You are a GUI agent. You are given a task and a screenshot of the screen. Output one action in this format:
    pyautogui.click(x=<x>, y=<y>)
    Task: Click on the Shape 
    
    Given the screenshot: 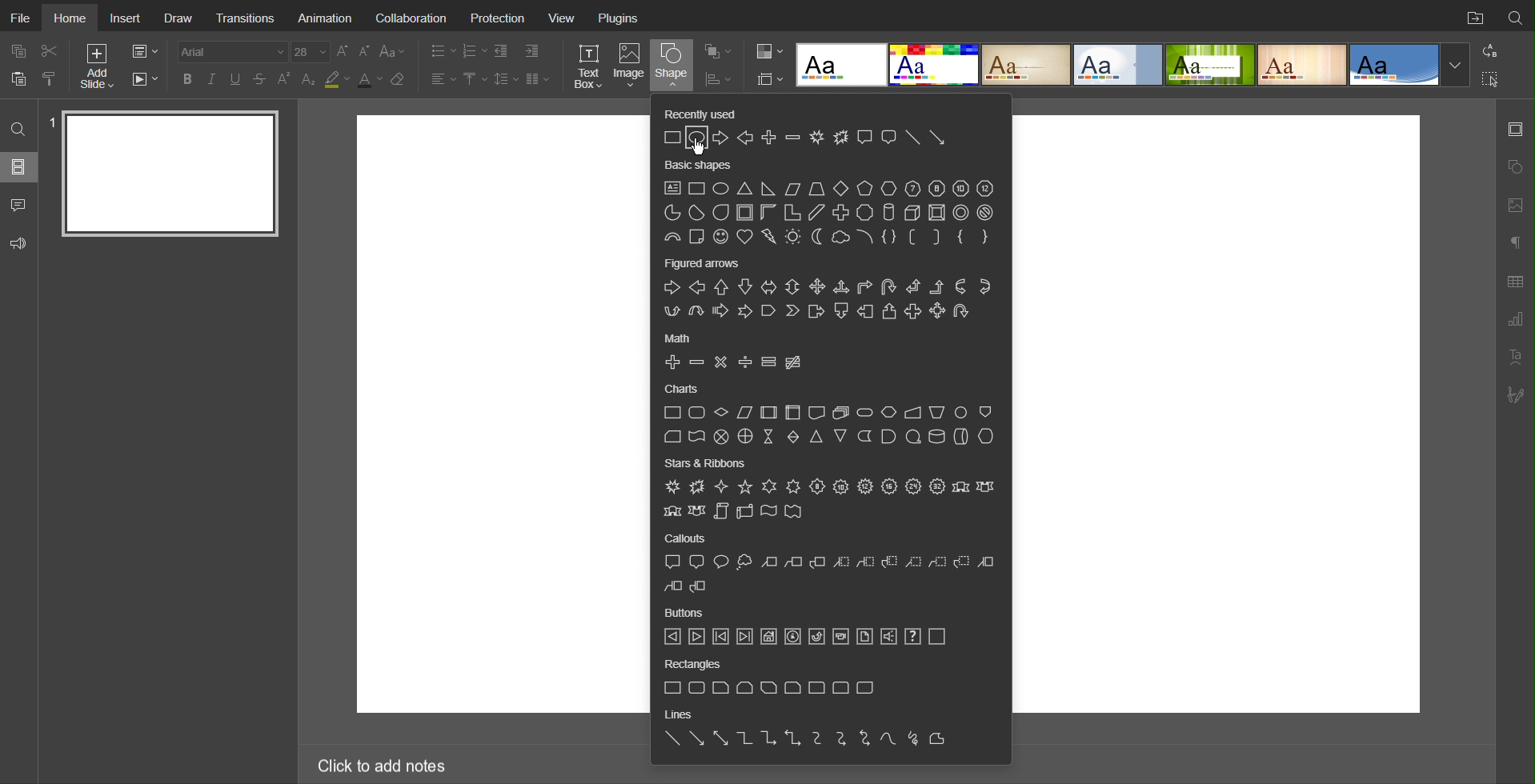 What is the action you would take?
    pyautogui.click(x=675, y=65)
    